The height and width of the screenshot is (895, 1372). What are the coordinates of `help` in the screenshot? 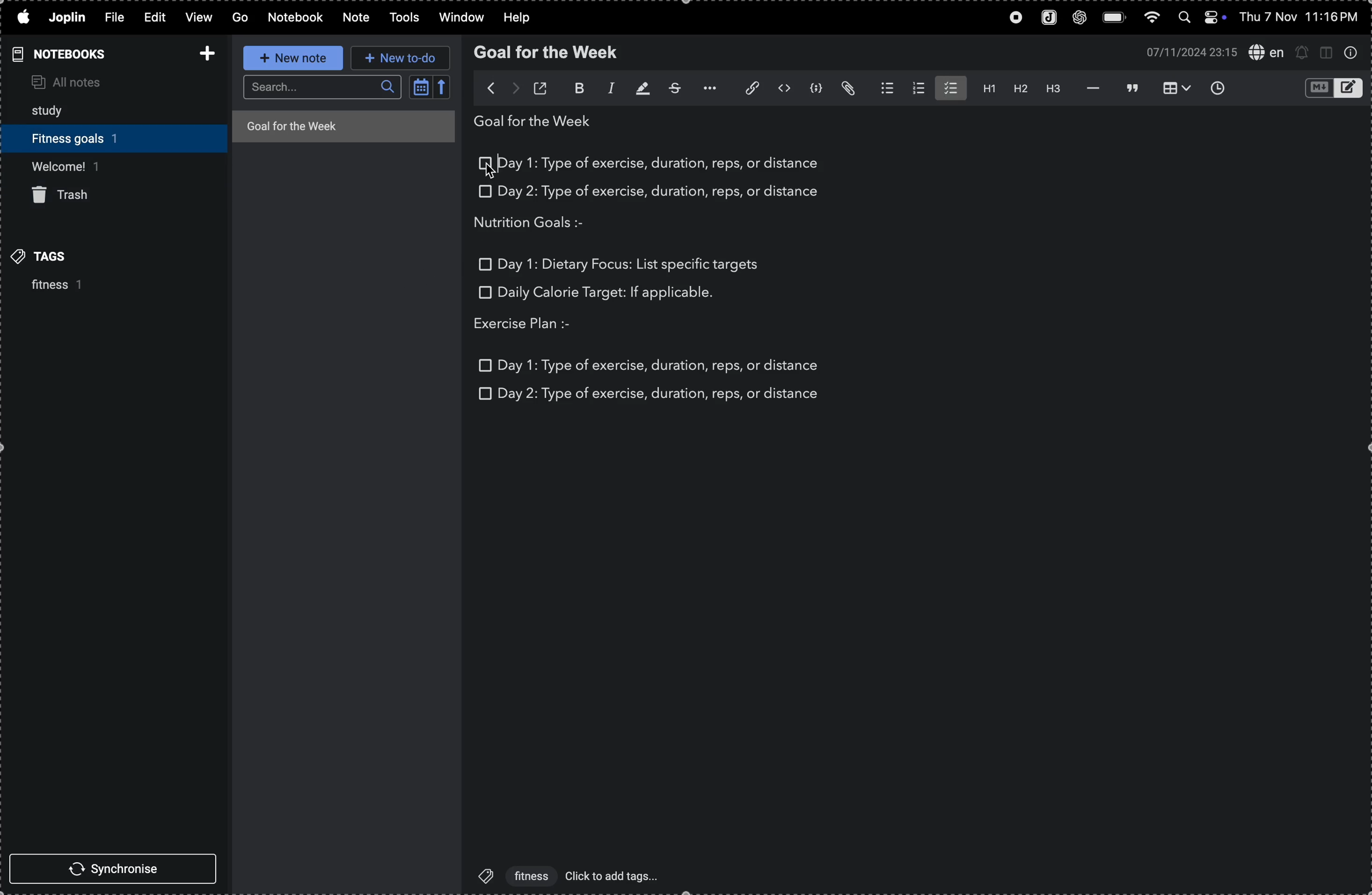 It's located at (517, 16).